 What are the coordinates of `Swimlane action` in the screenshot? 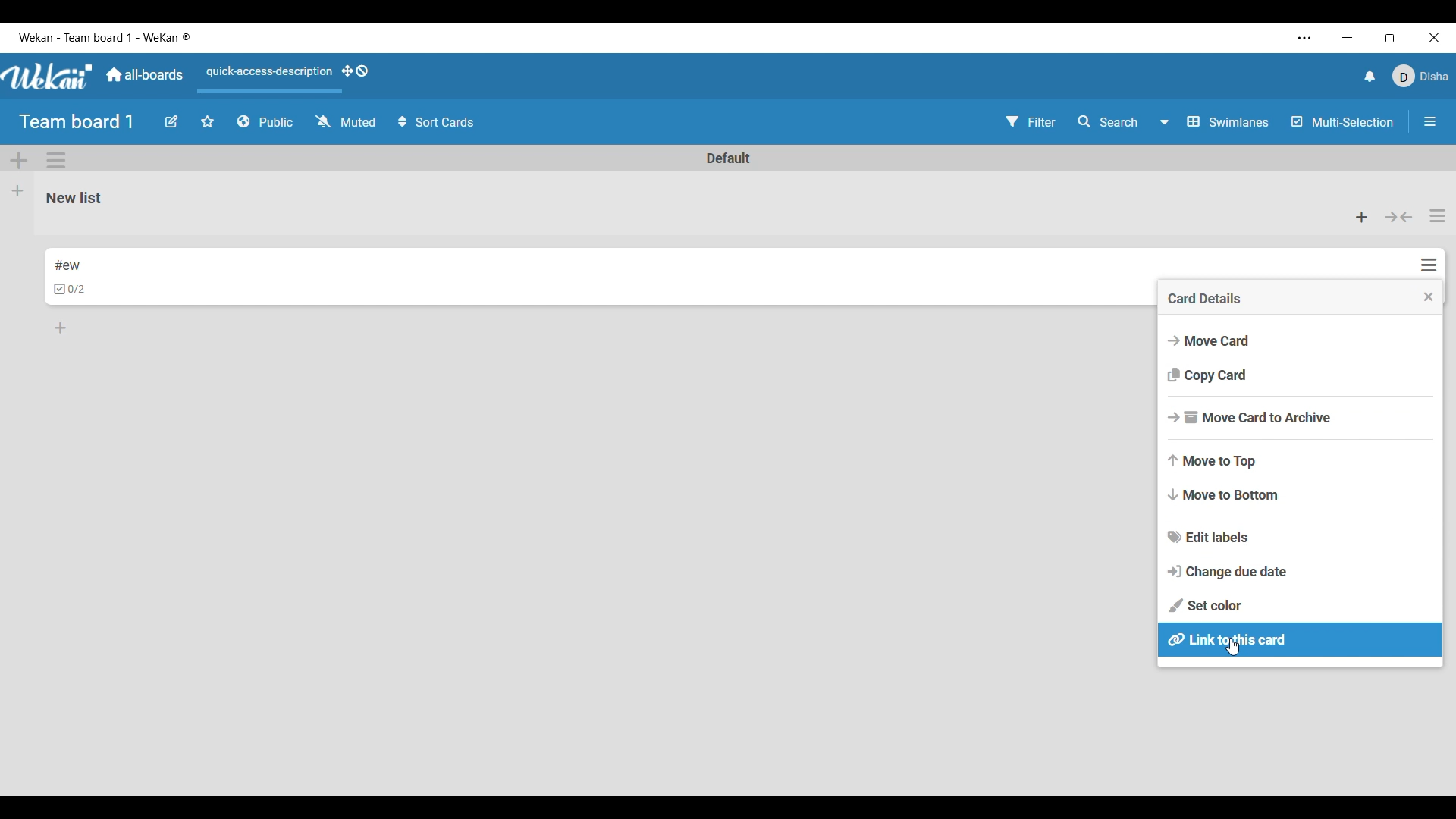 It's located at (55, 160).